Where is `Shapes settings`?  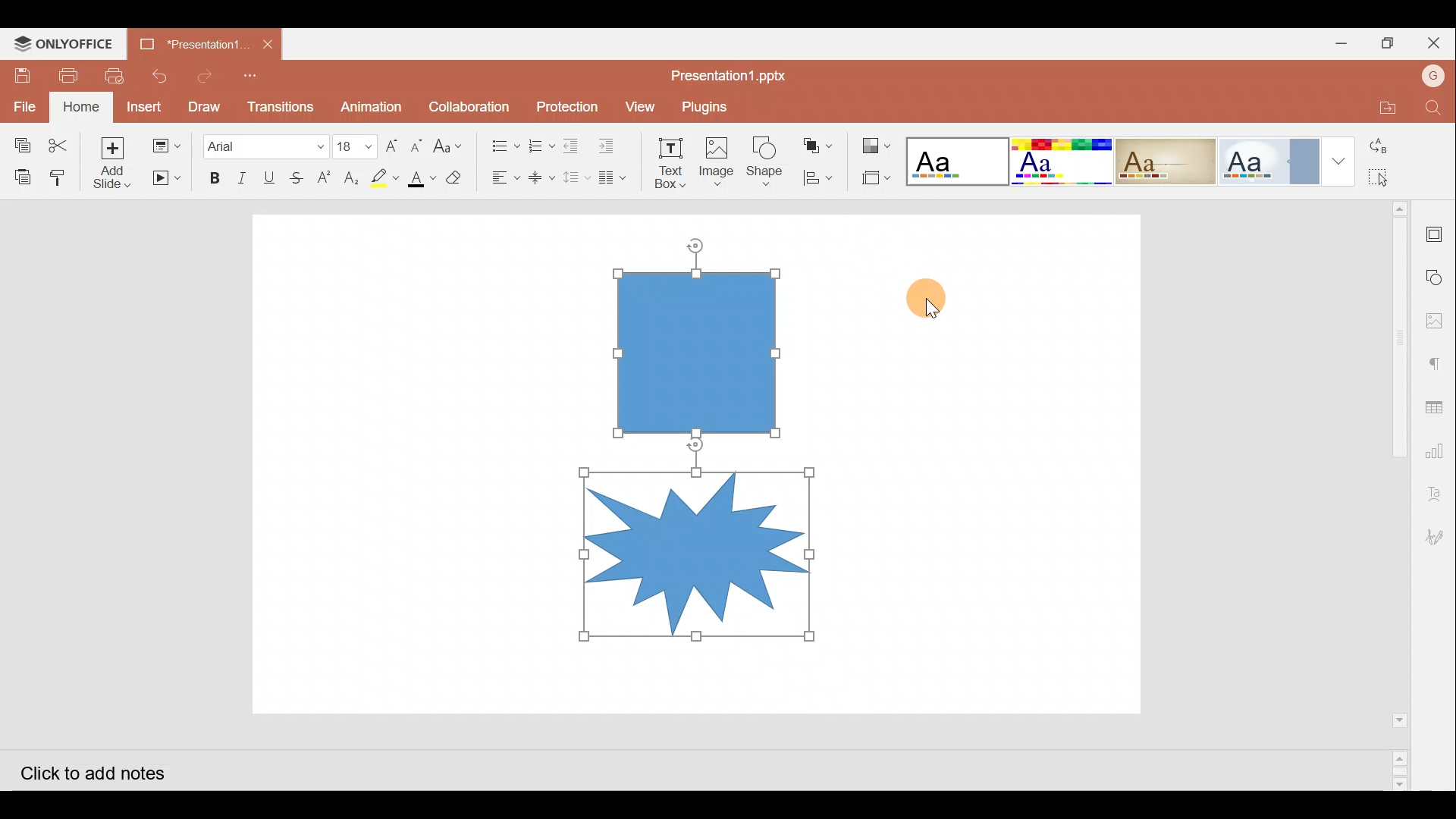 Shapes settings is located at coordinates (1437, 274).